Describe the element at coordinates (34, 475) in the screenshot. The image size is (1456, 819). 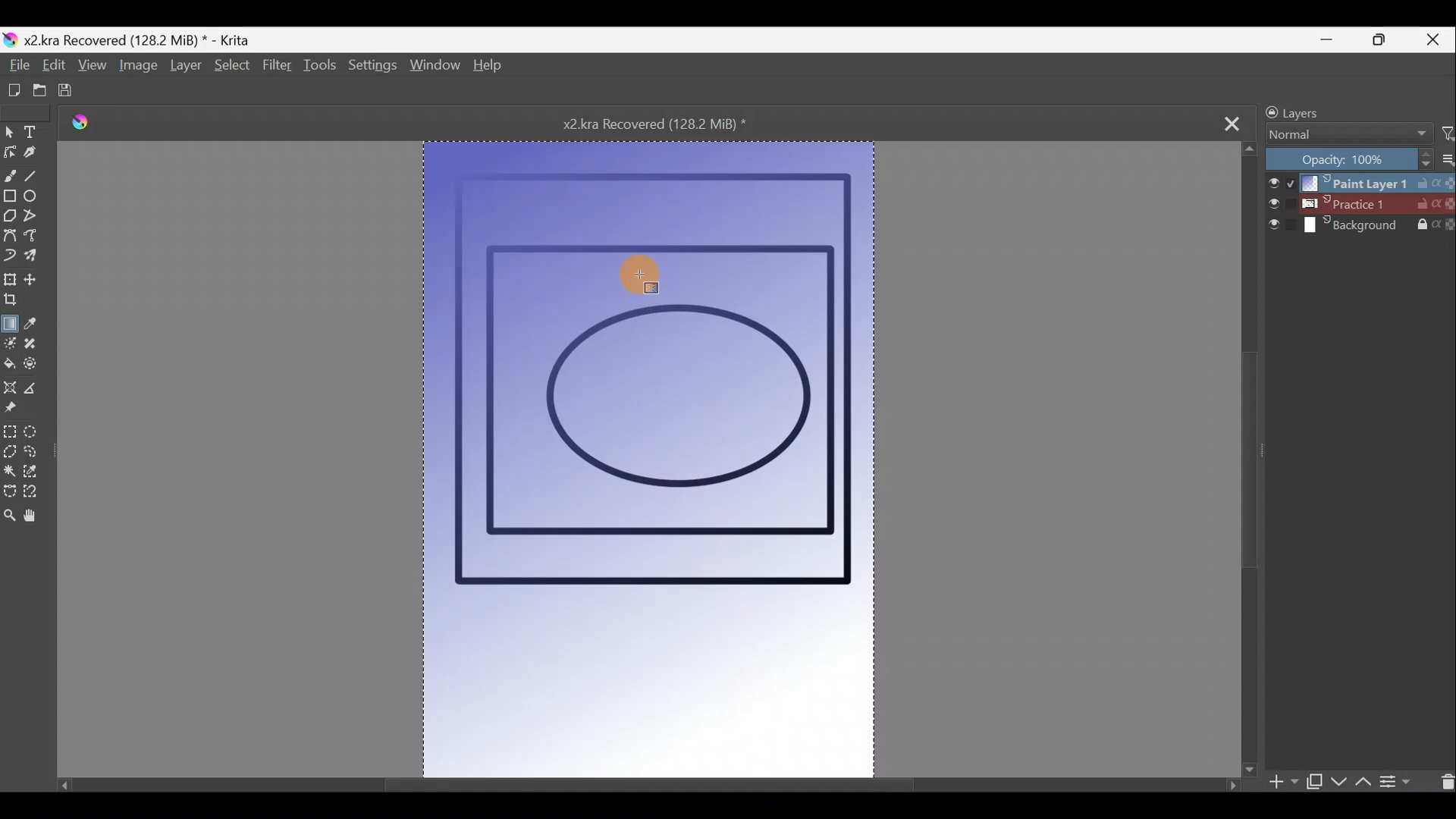
I see `Similar colour selection tool` at that location.